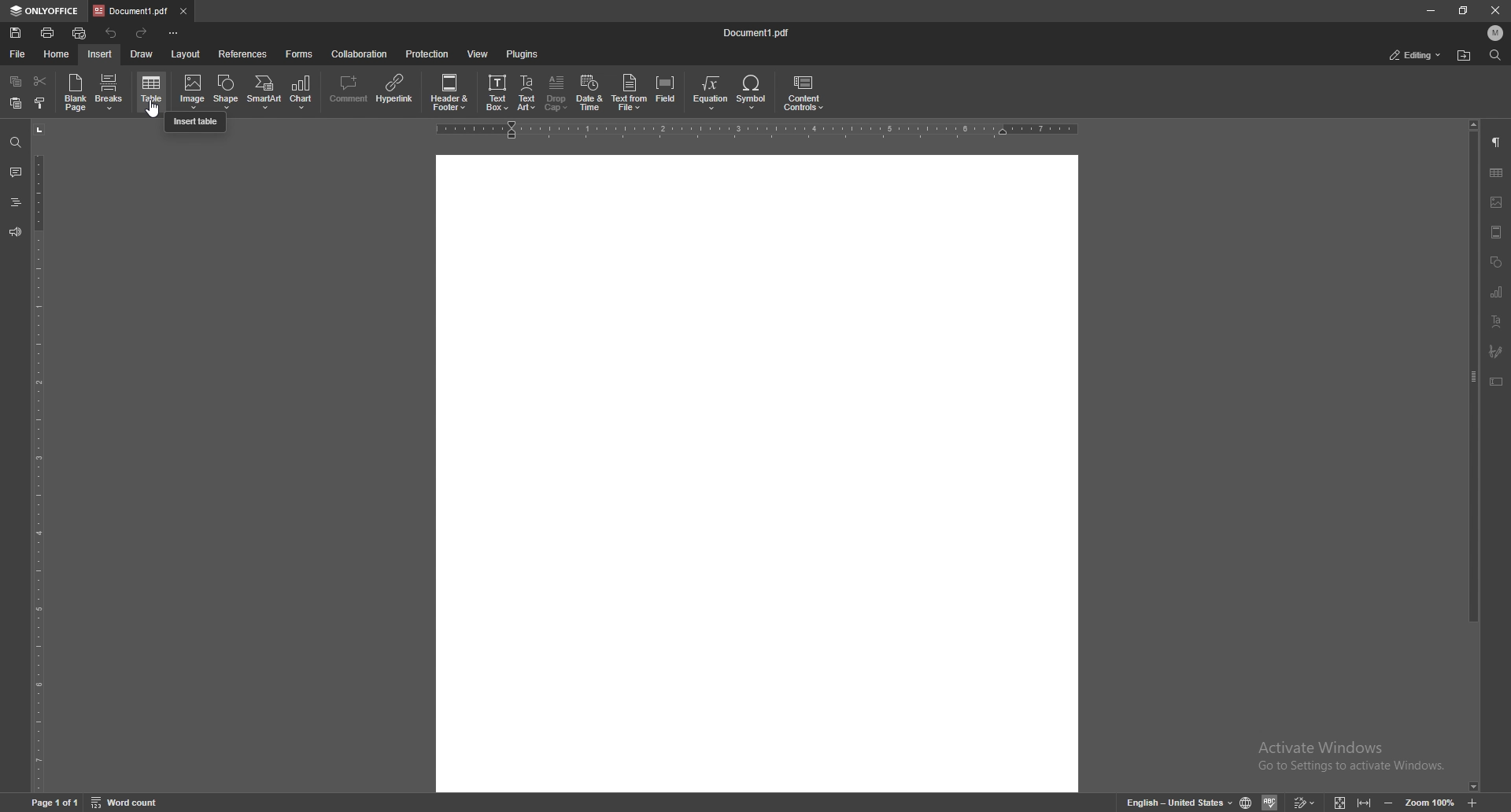 This screenshot has width=1511, height=812. I want to click on table, so click(153, 91).